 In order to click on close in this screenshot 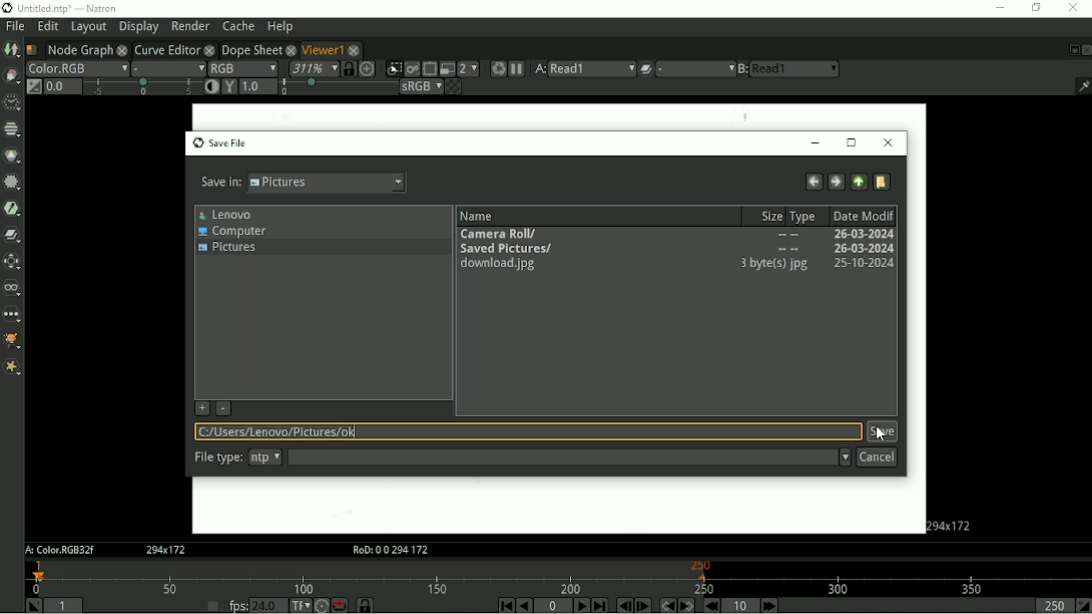, I will do `click(355, 51)`.